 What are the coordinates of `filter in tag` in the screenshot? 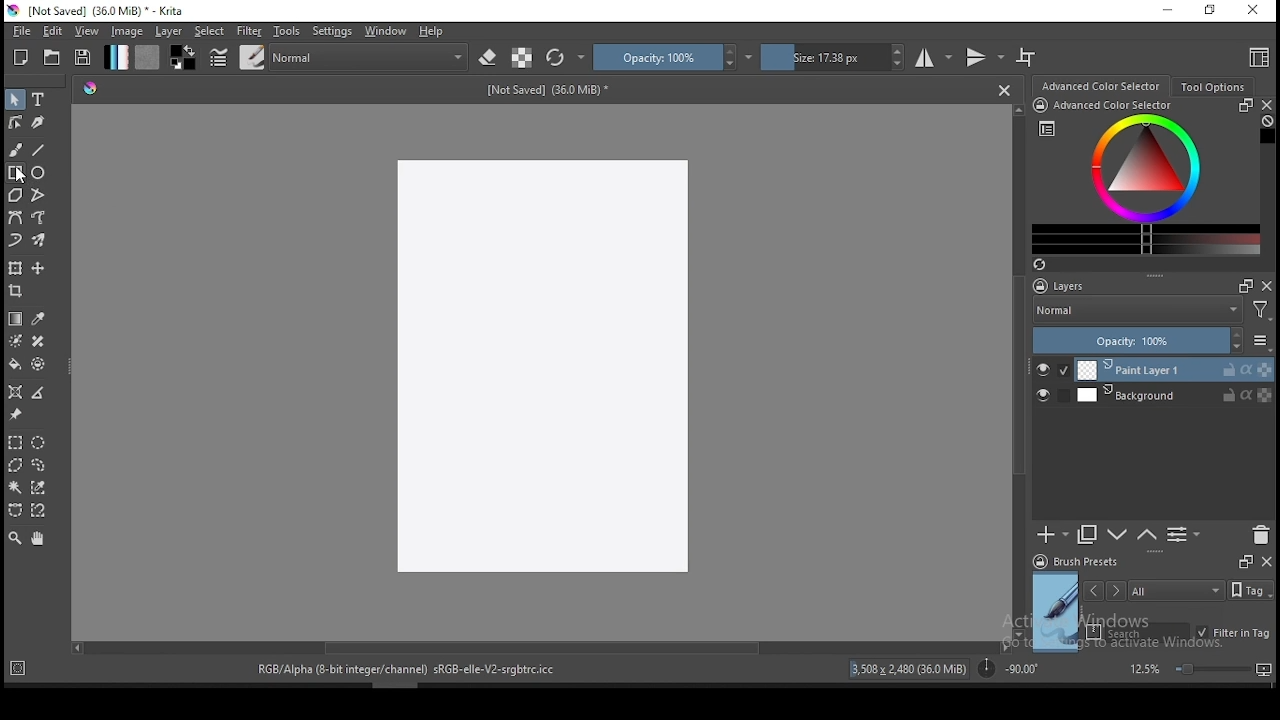 It's located at (1233, 634).